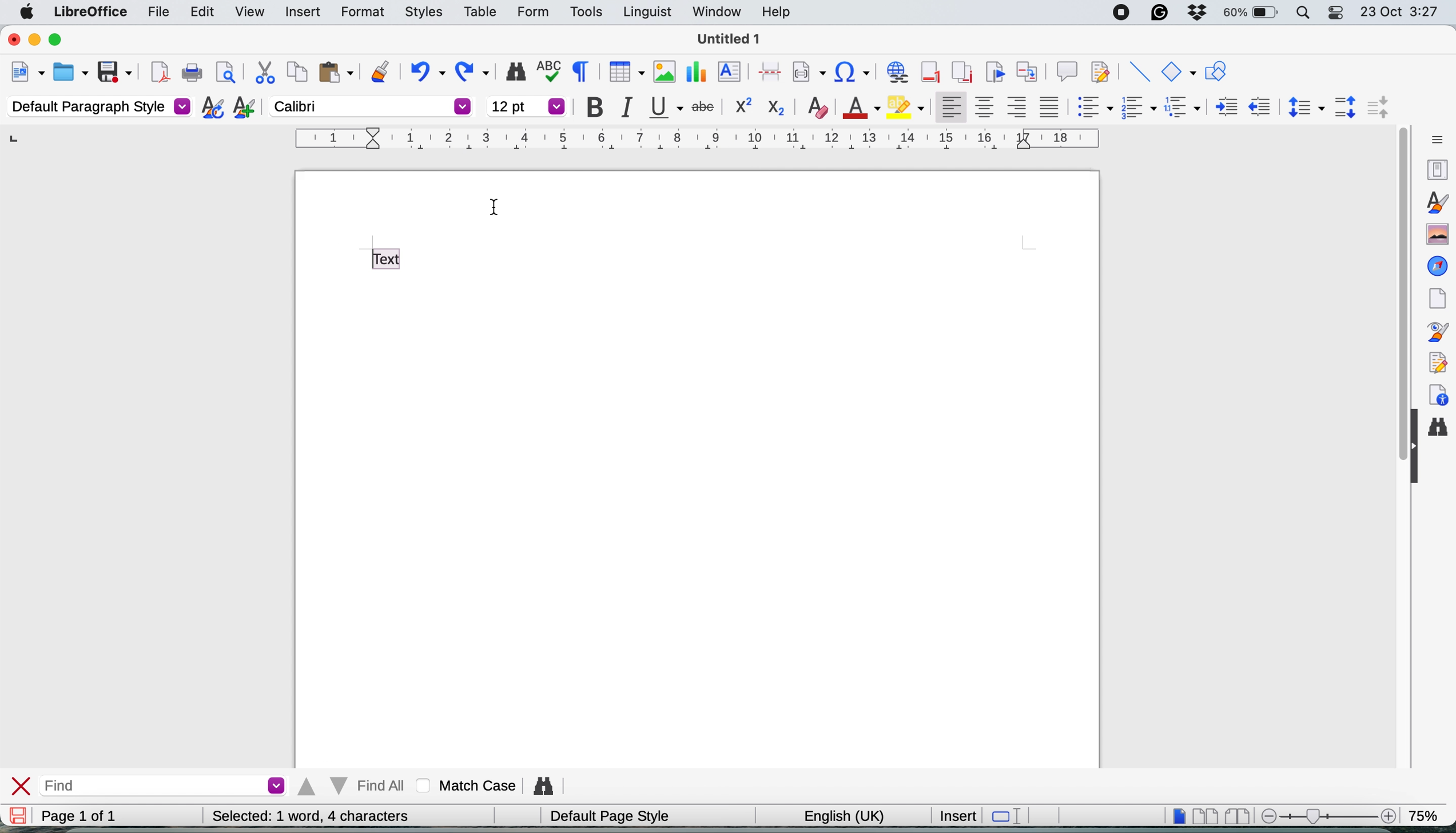 This screenshot has width=1456, height=833. I want to click on underline, so click(664, 109).